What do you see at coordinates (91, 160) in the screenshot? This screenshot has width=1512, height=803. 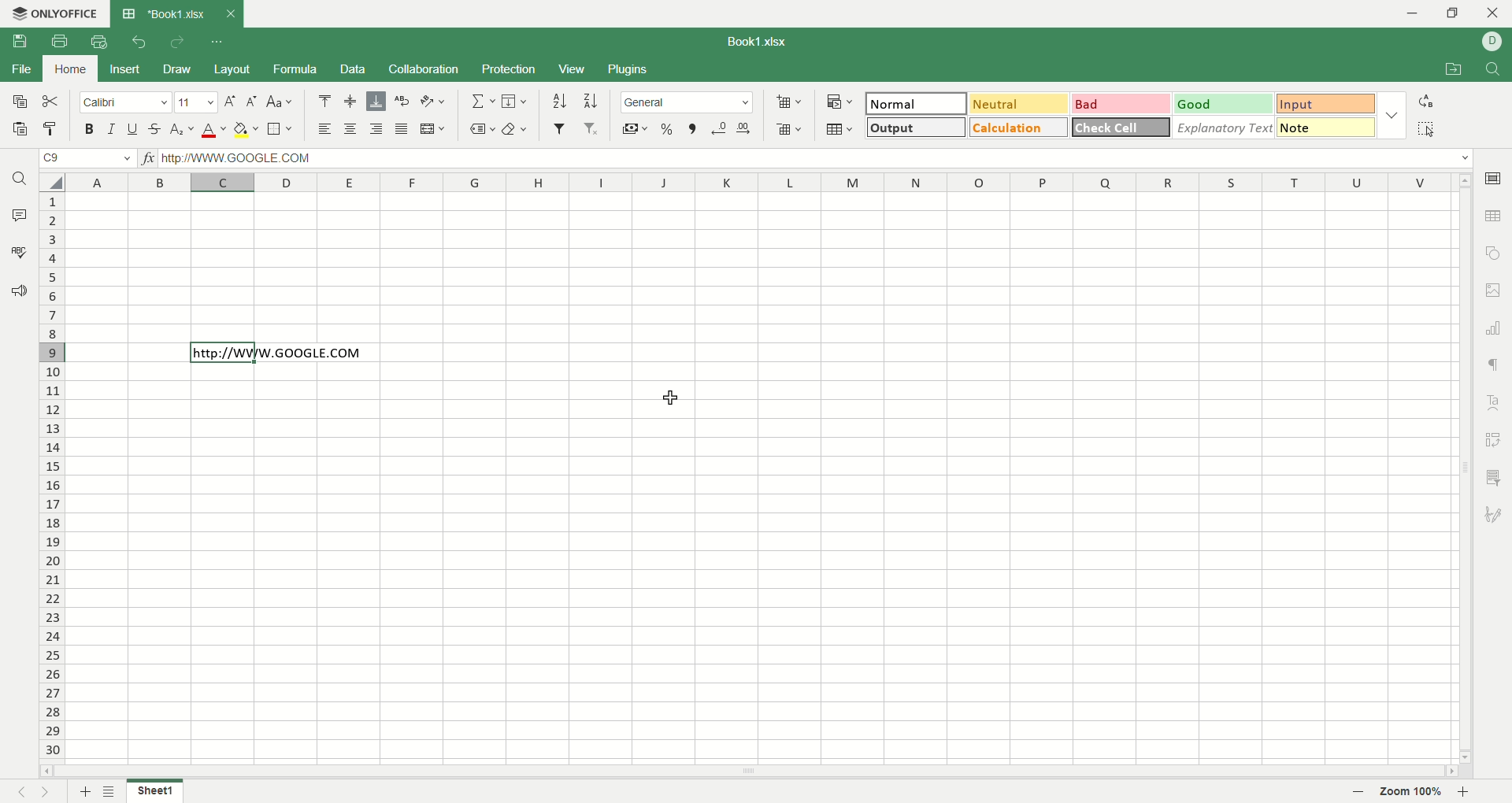 I see `cell position` at bounding box center [91, 160].